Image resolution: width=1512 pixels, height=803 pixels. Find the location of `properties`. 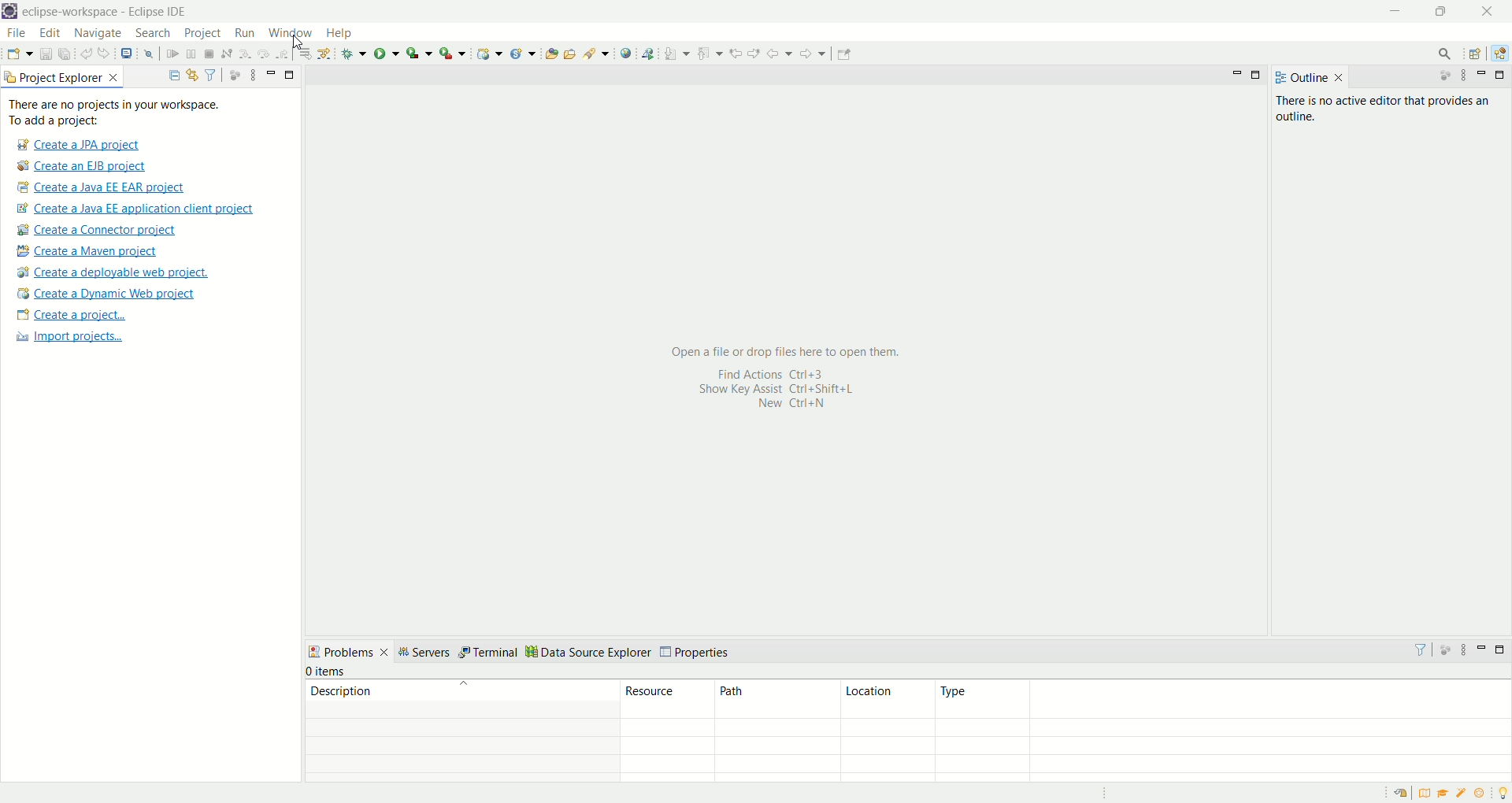

properties is located at coordinates (696, 653).